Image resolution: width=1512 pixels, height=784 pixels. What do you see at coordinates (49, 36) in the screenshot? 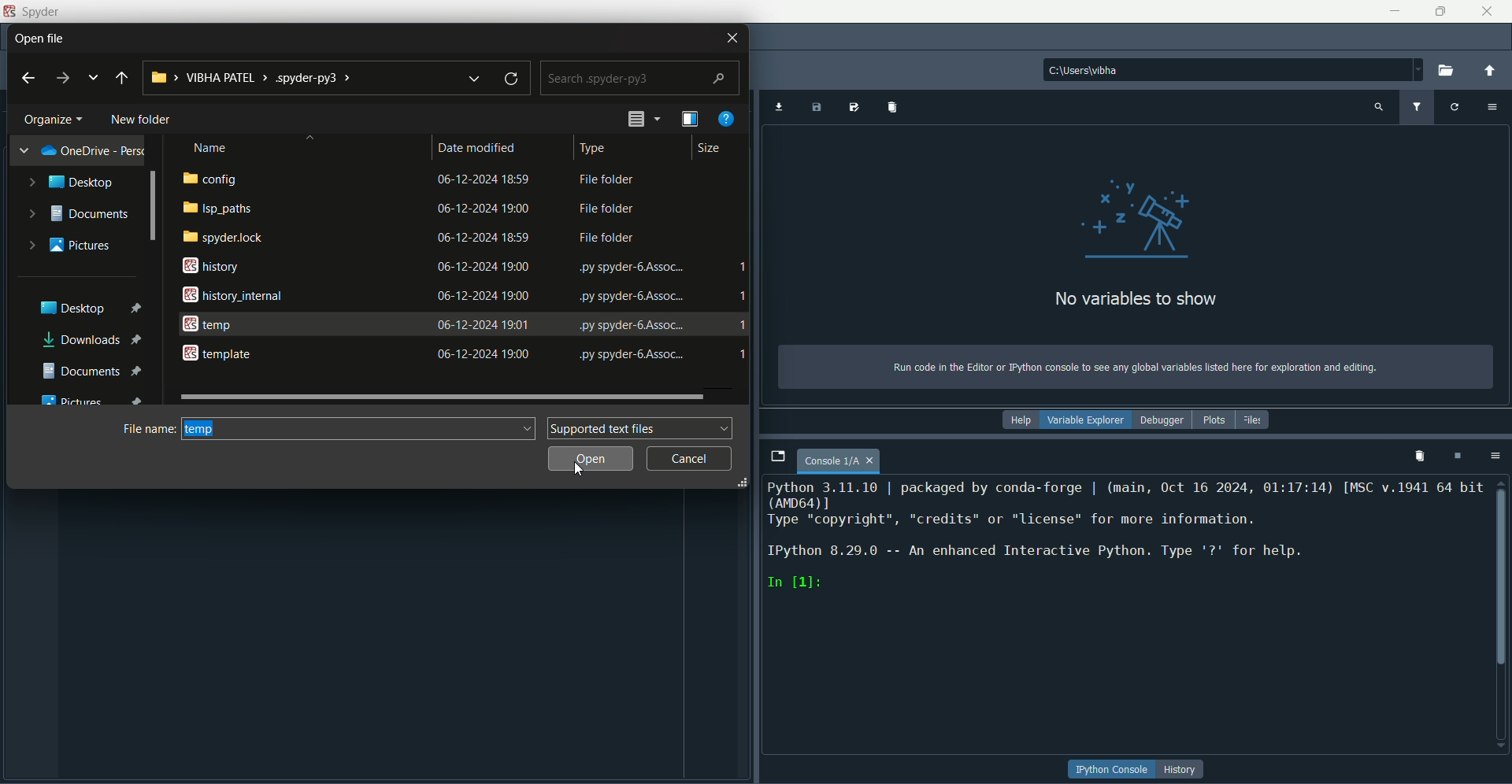
I see `open file` at bounding box center [49, 36].